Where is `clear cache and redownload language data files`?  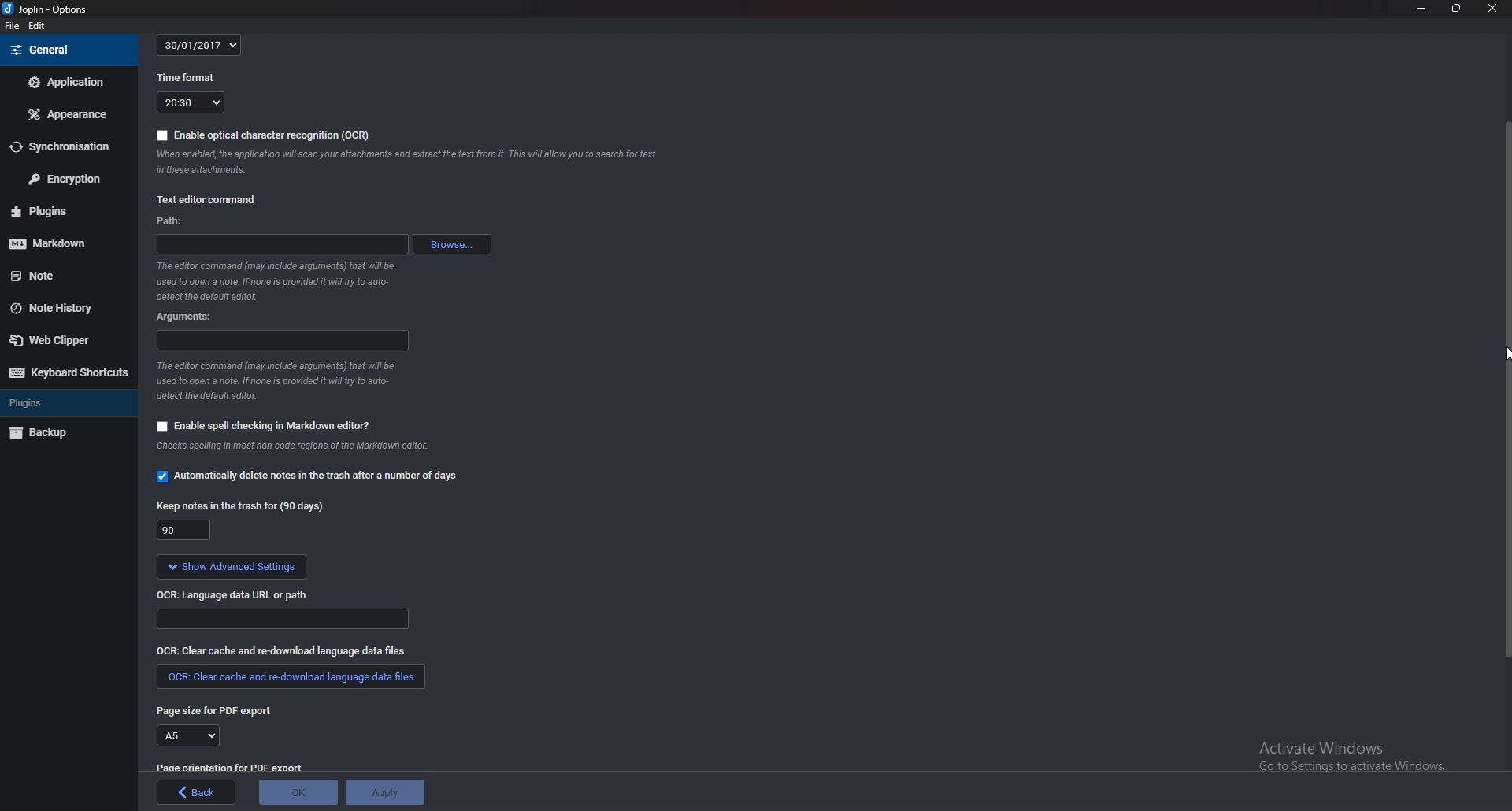 clear cache and redownload language data files is located at coordinates (288, 679).